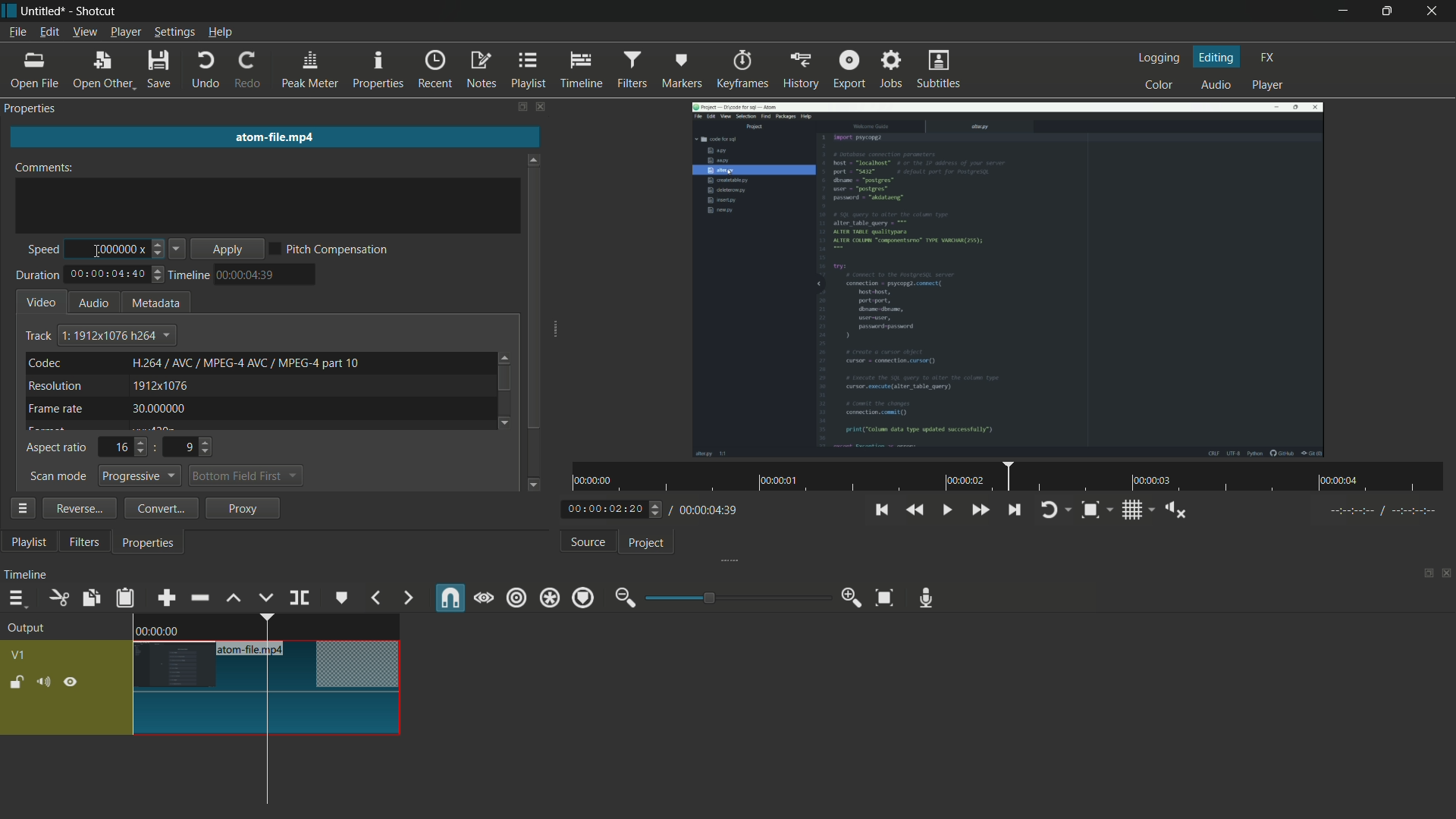 This screenshot has width=1456, height=819. Describe the element at coordinates (880, 510) in the screenshot. I see `skip to the previous point` at that location.